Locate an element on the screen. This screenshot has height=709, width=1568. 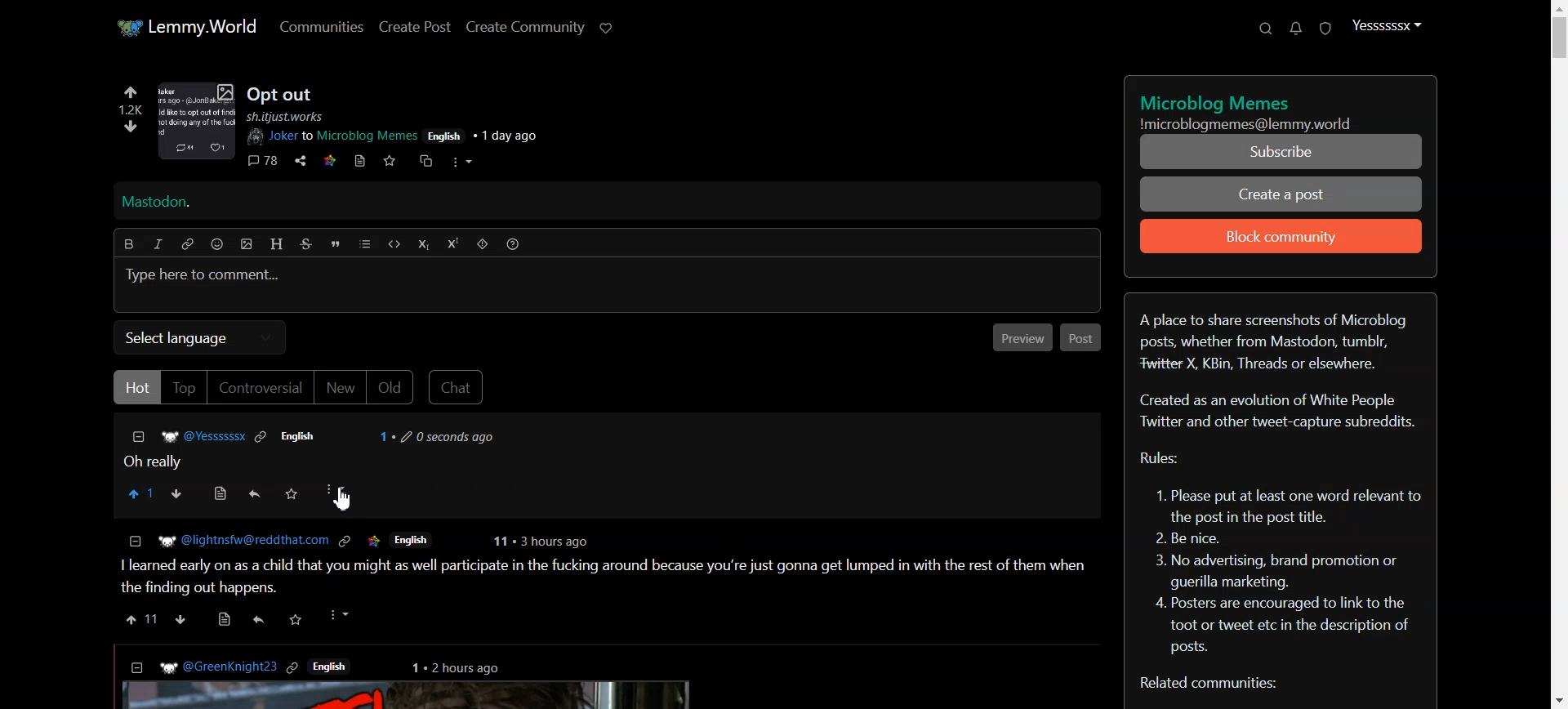
Profile is located at coordinates (1386, 25).